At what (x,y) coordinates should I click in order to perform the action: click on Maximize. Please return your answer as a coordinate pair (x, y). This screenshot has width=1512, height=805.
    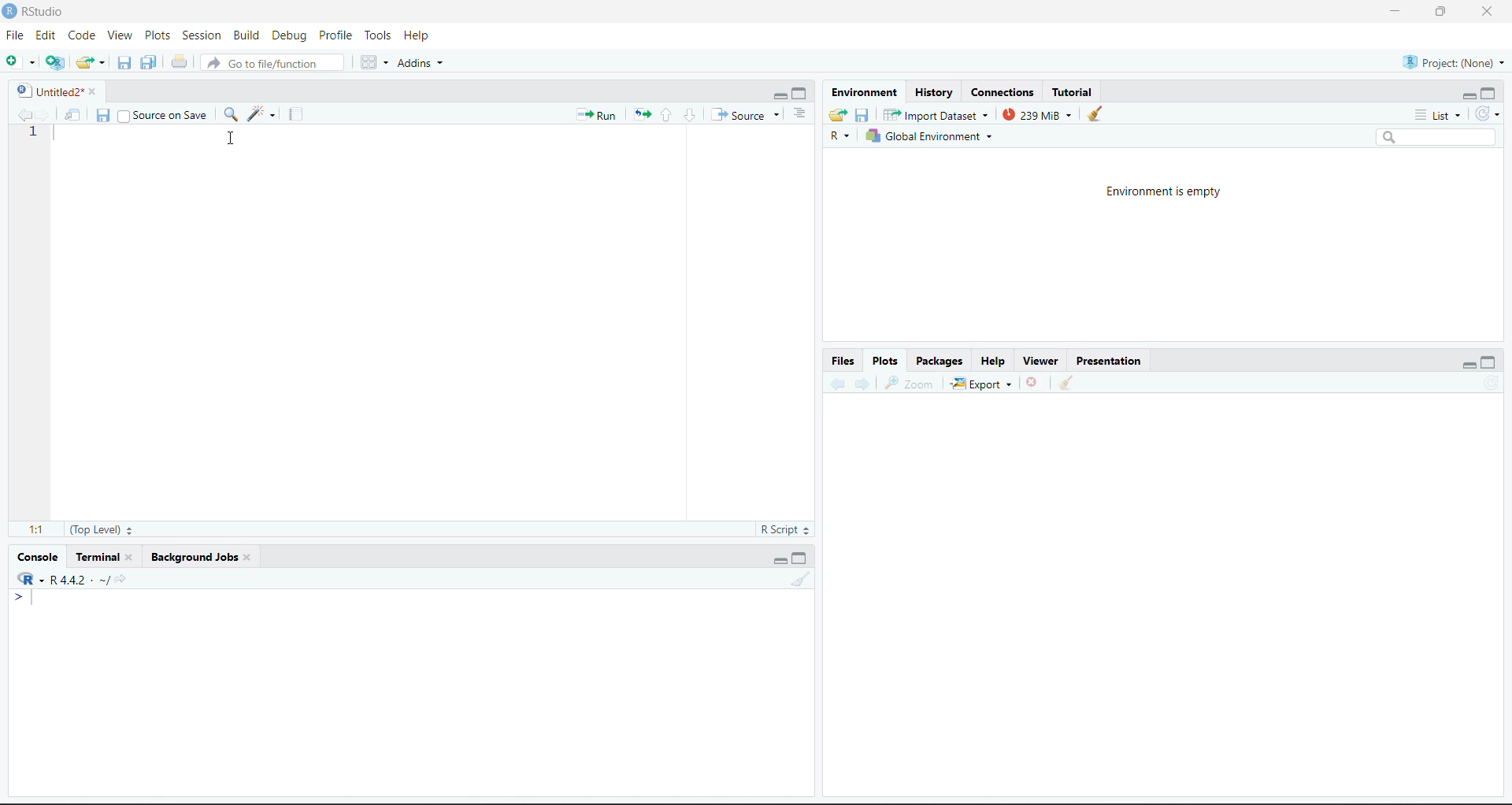
    Looking at the image, I should click on (1492, 362).